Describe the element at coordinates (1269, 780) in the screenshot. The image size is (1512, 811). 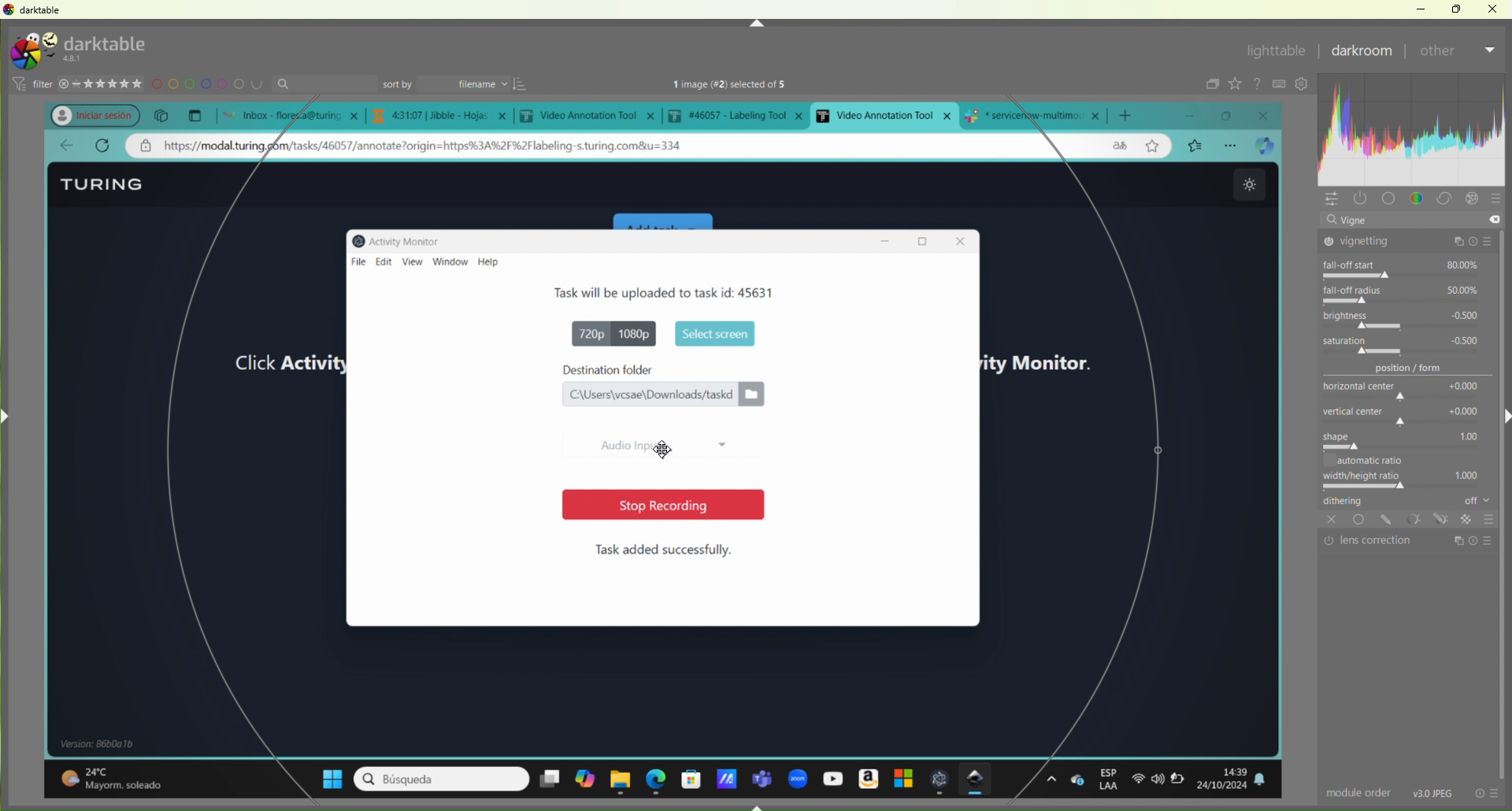
I see `notifications` at that location.